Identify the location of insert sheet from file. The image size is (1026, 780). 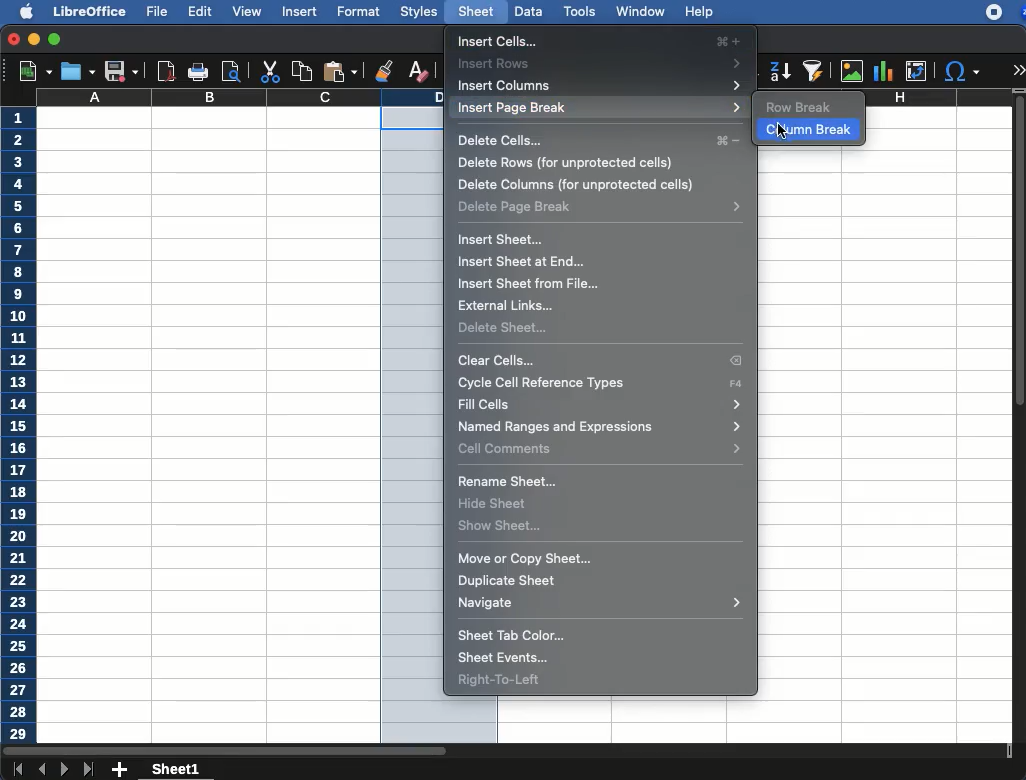
(531, 284).